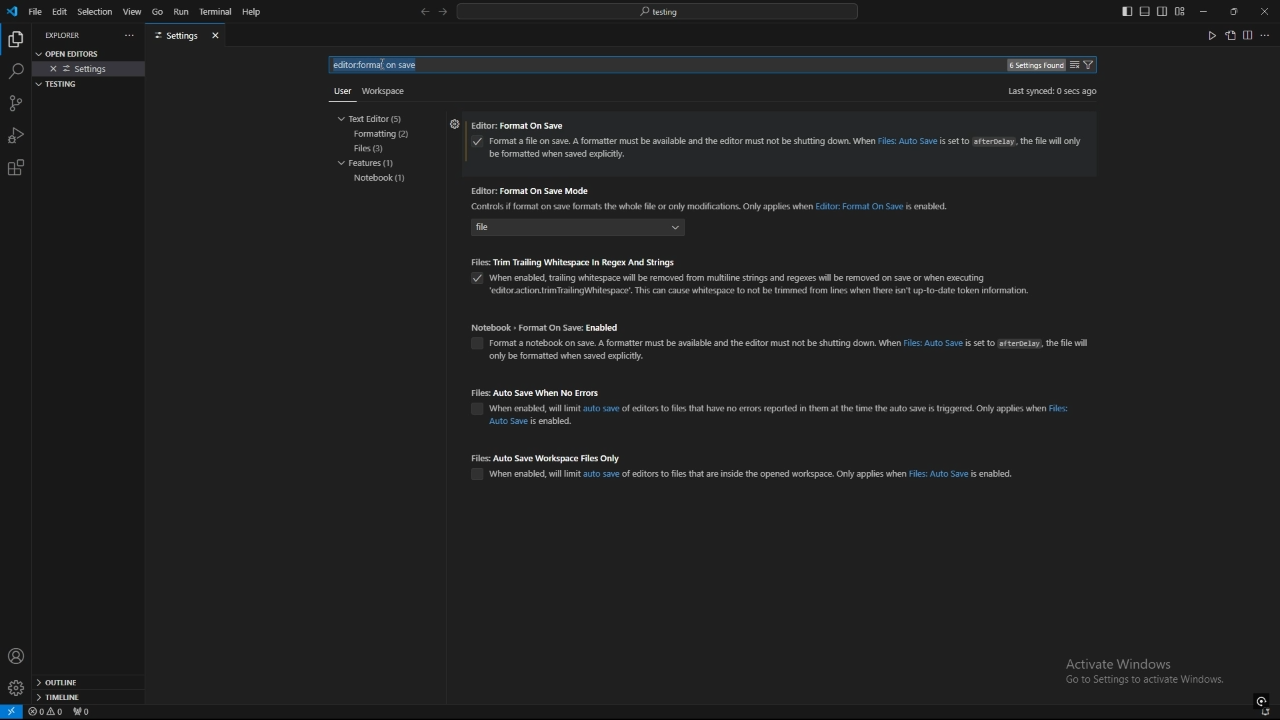 Image resolution: width=1280 pixels, height=720 pixels. What do you see at coordinates (176, 36) in the screenshot?
I see `settings` at bounding box center [176, 36].